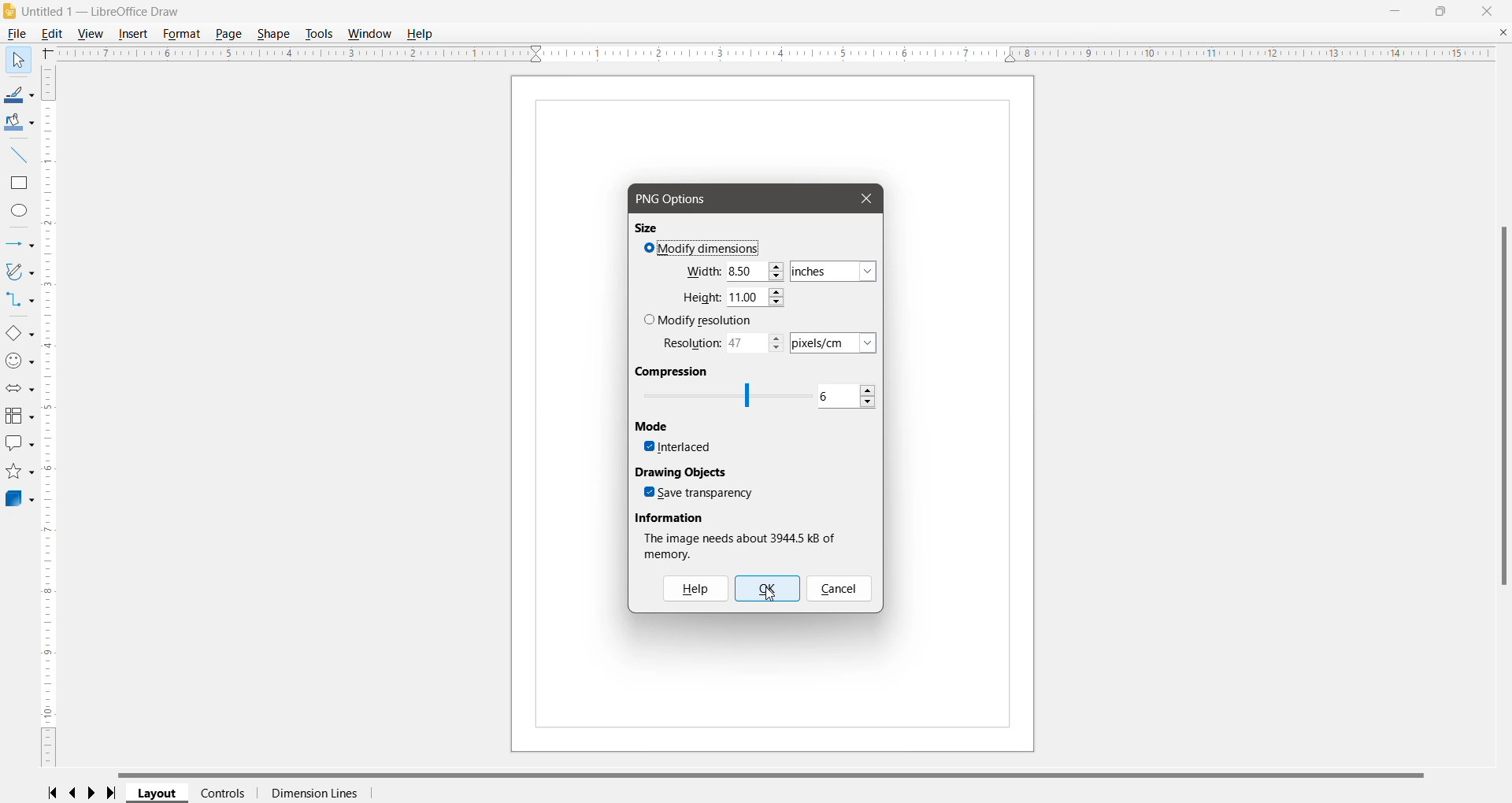 The width and height of the screenshot is (1512, 803). What do you see at coordinates (19, 416) in the screenshot?
I see `Flowchart` at bounding box center [19, 416].